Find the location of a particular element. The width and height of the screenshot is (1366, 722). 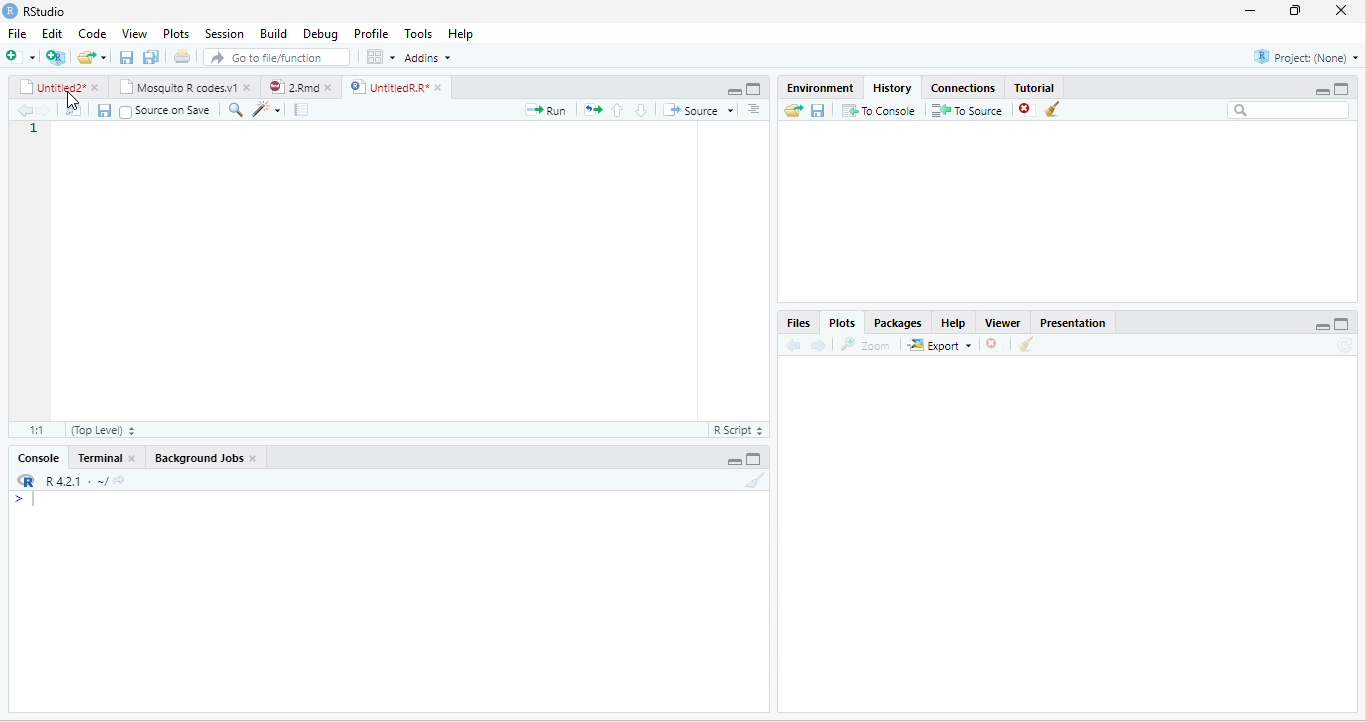

down is located at coordinates (641, 109).